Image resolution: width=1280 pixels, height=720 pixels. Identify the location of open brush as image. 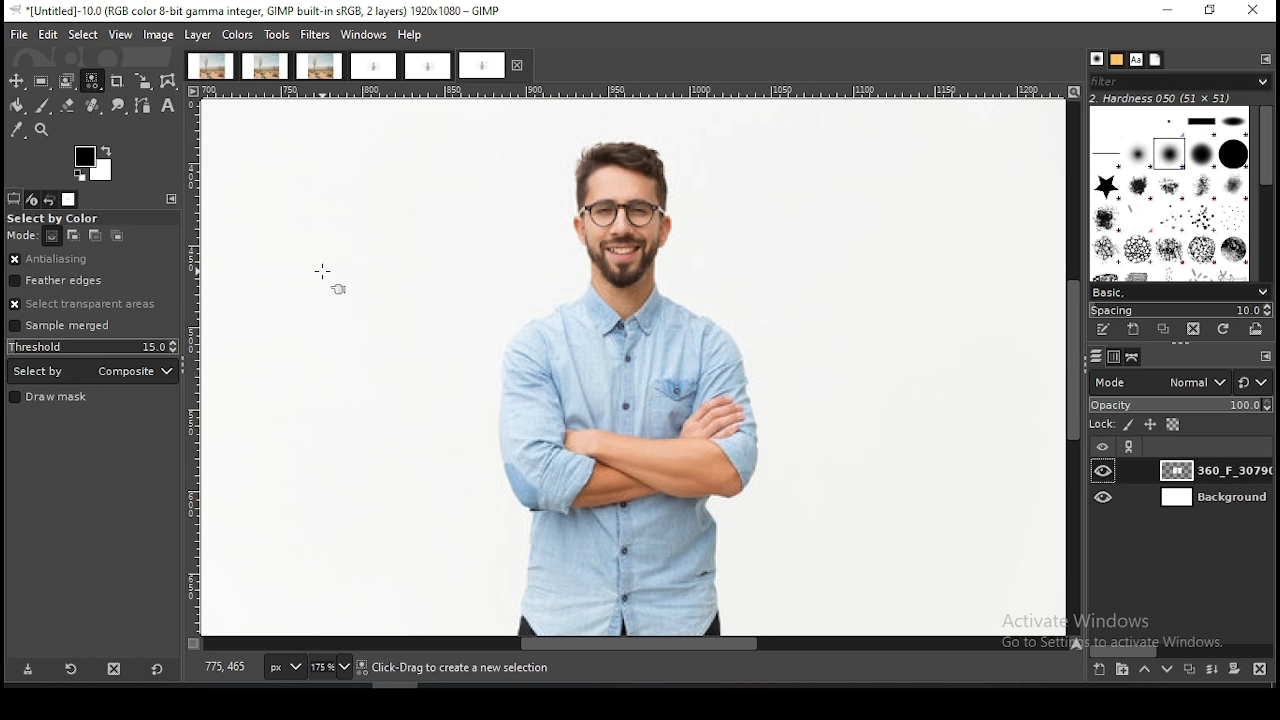
(1255, 329).